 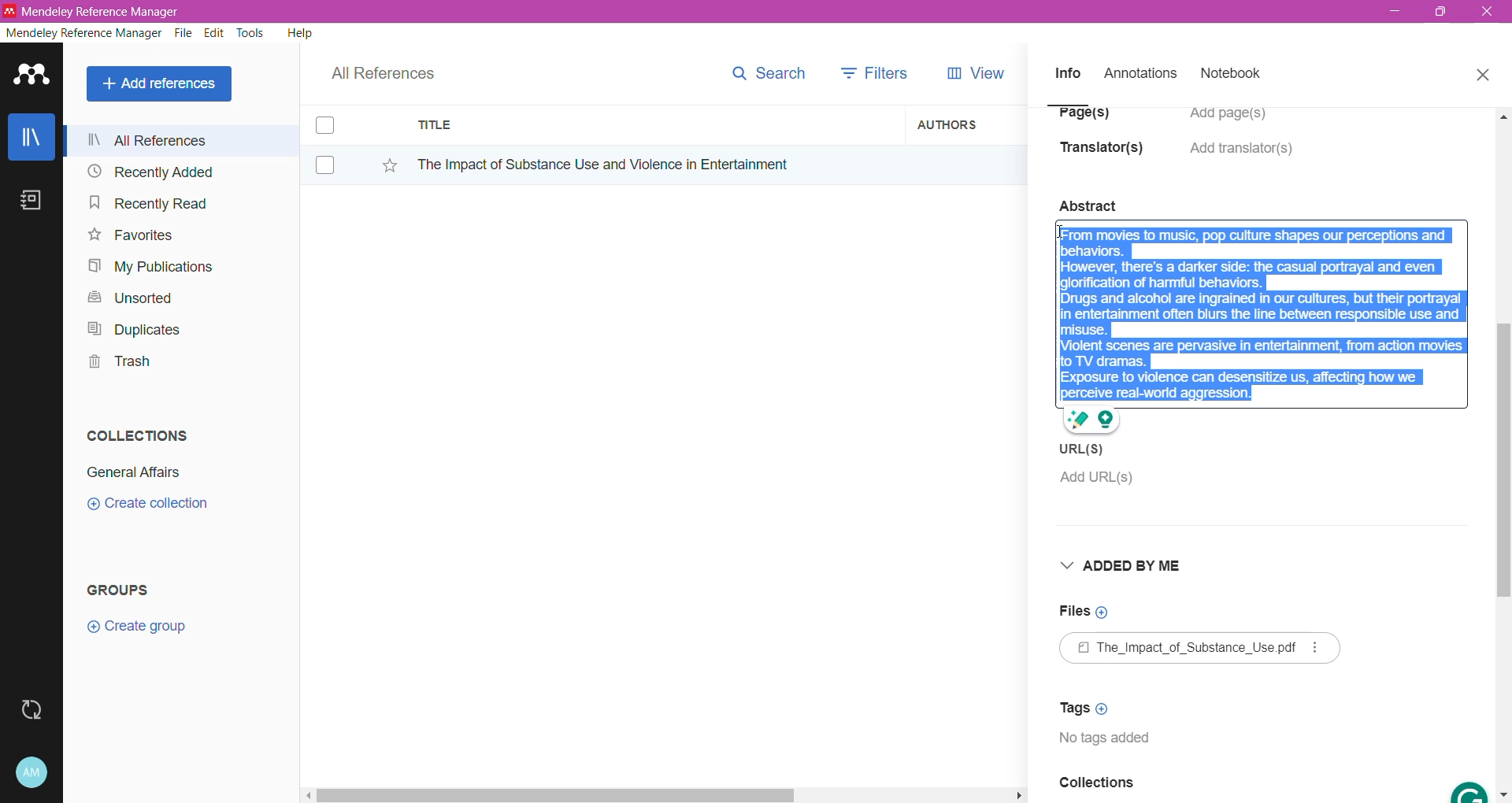 I want to click on Title, so click(x=654, y=125).